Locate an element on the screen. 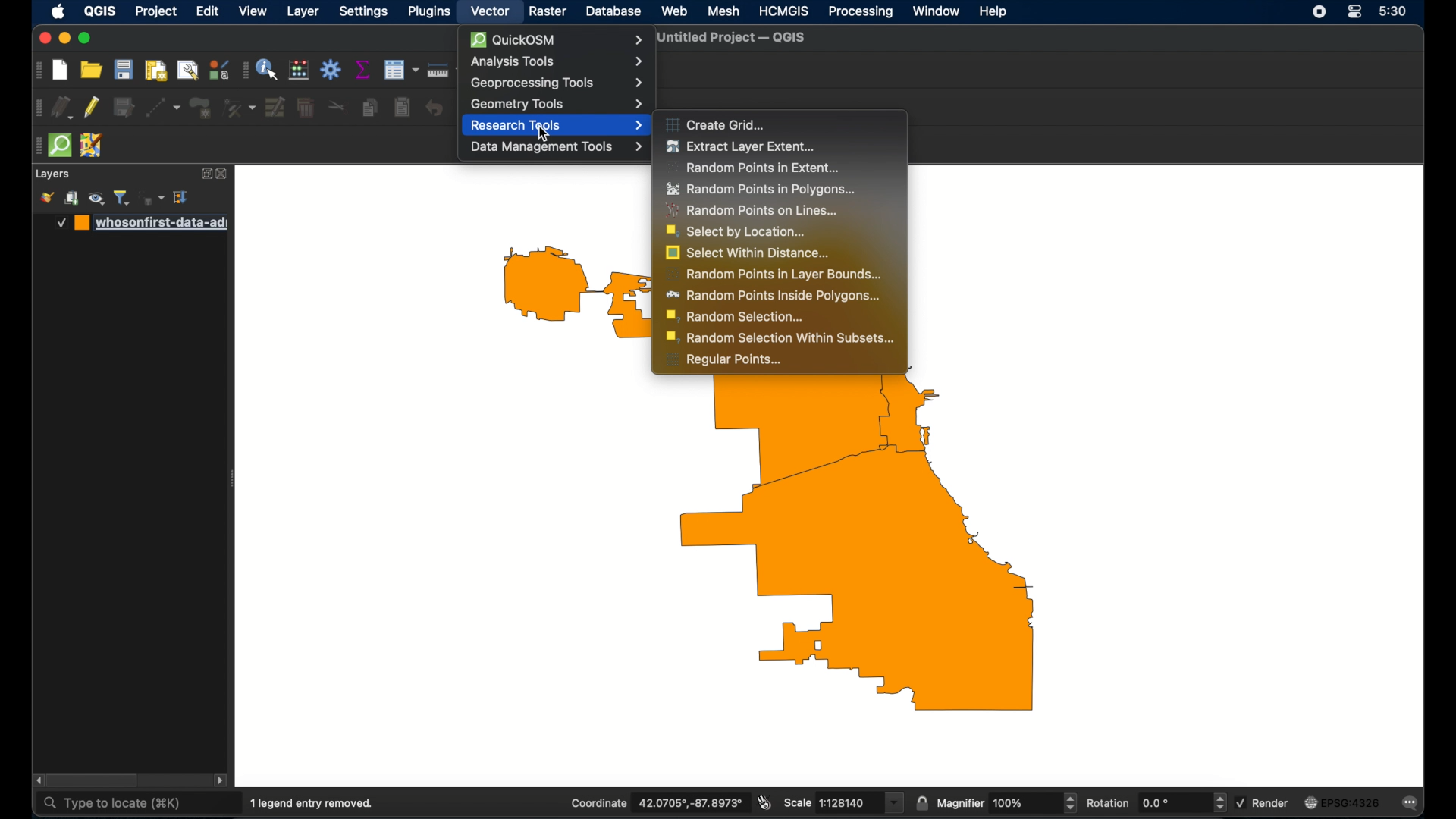  control center is located at coordinates (1354, 12).